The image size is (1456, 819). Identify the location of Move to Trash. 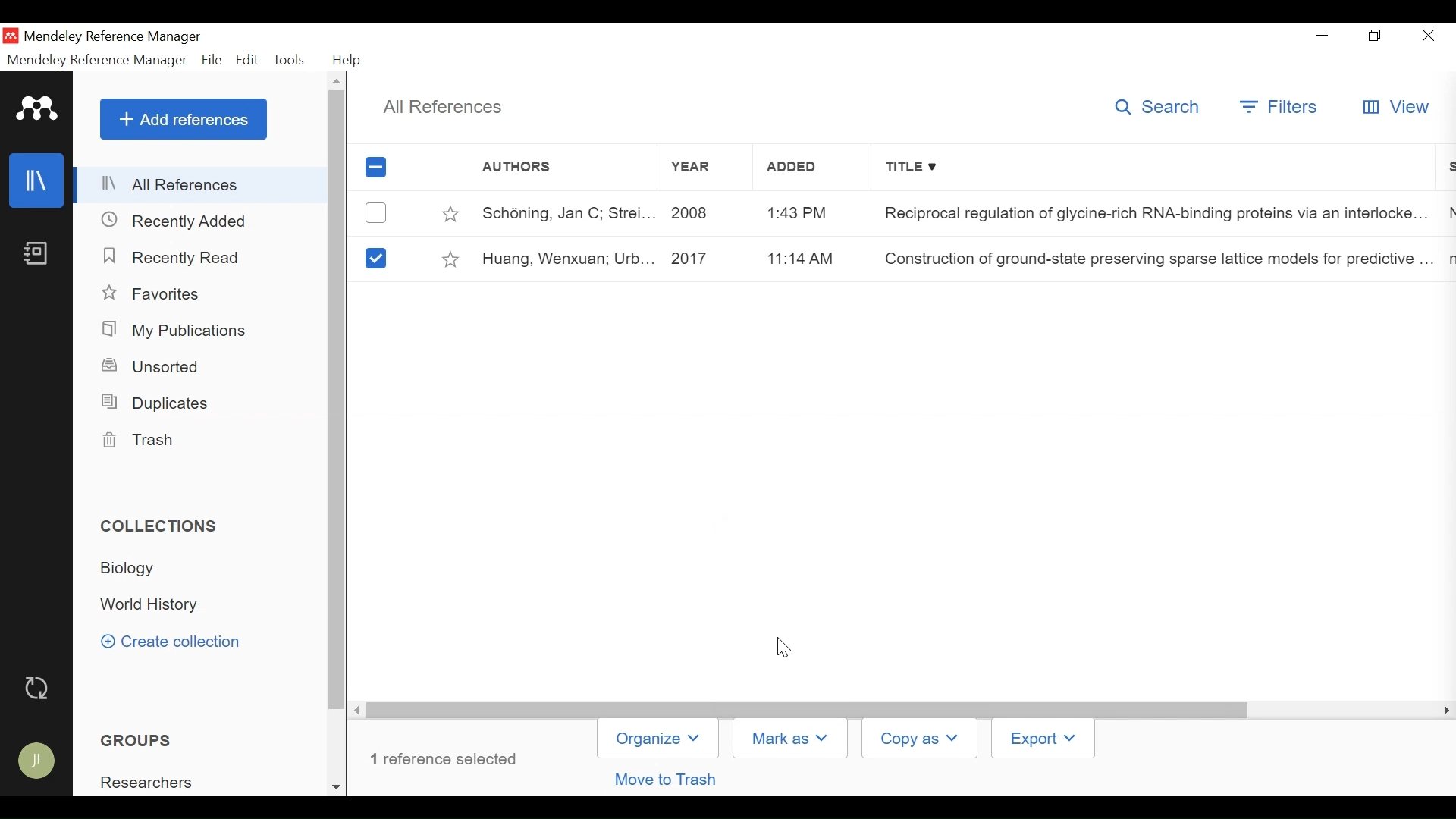
(668, 779).